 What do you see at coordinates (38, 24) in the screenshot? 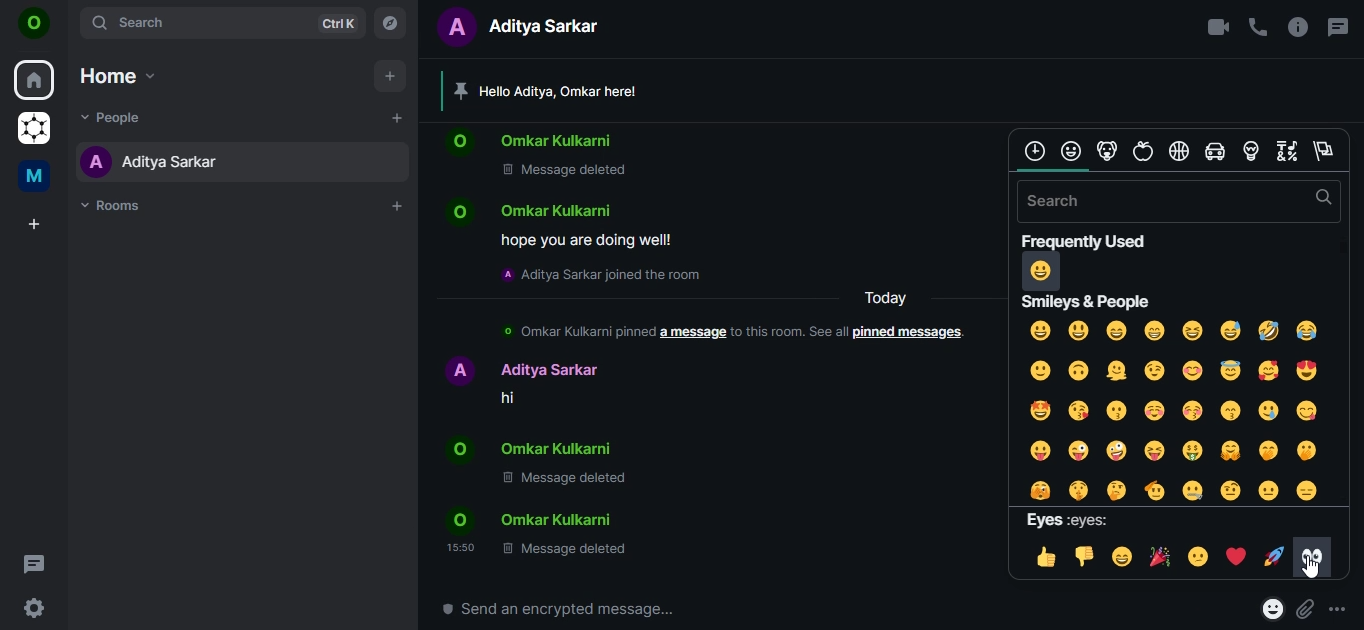
I see `on` at bounding box center [38, 24].